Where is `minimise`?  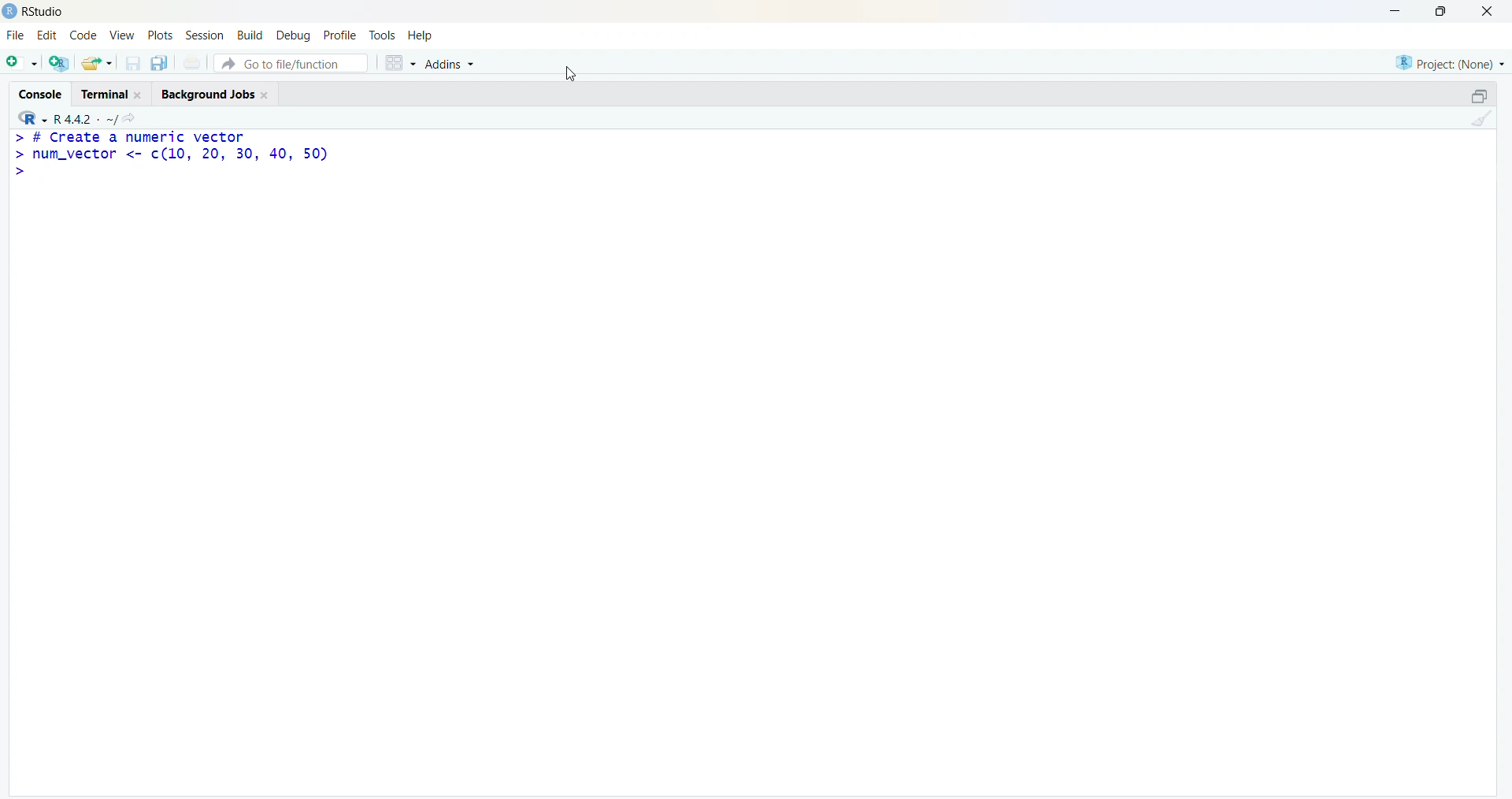 minimise is located at coordinates (1397, 11).